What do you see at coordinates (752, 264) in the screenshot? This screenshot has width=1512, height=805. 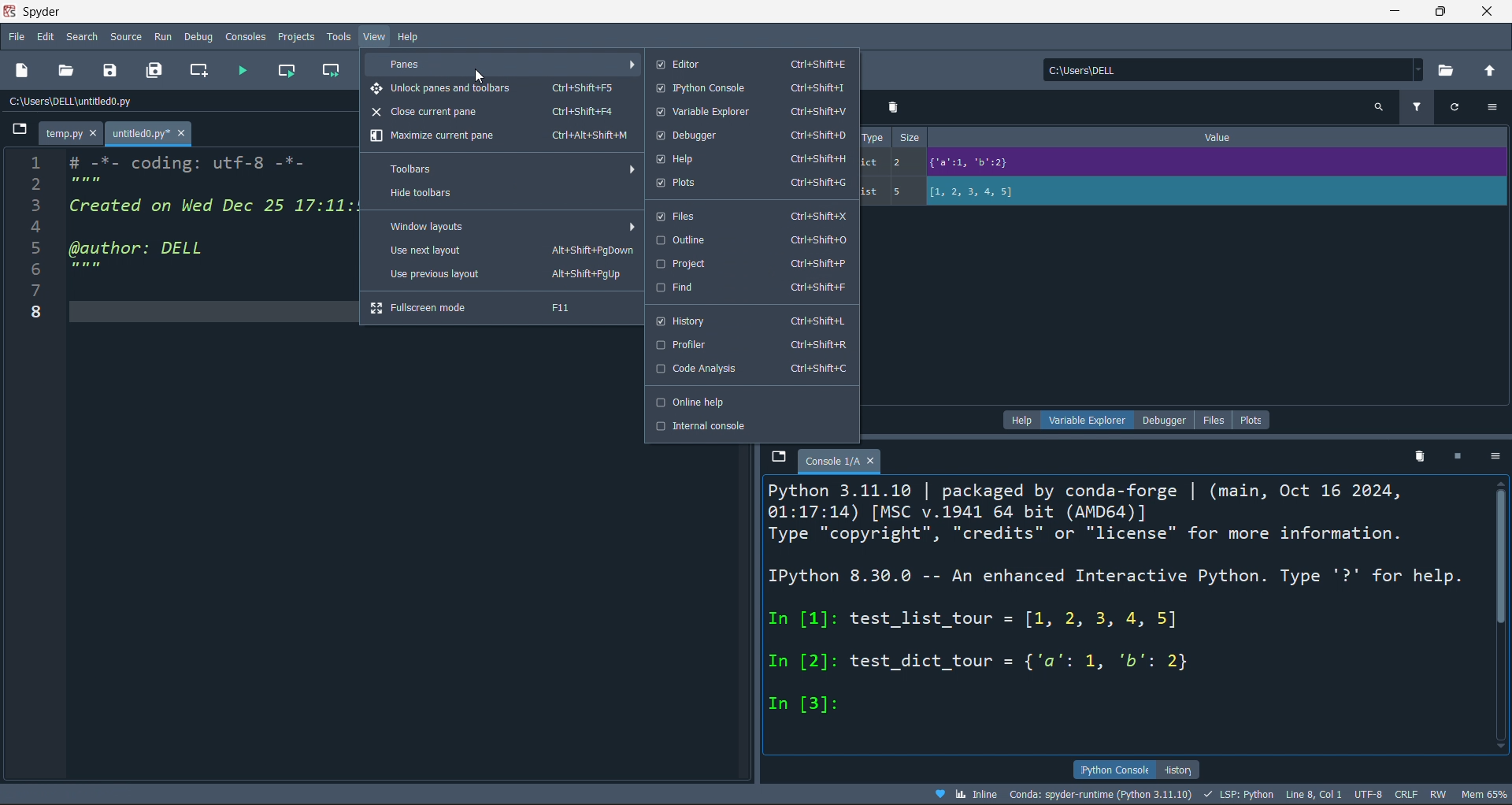 I see `project` at bounding box center [752, 264].